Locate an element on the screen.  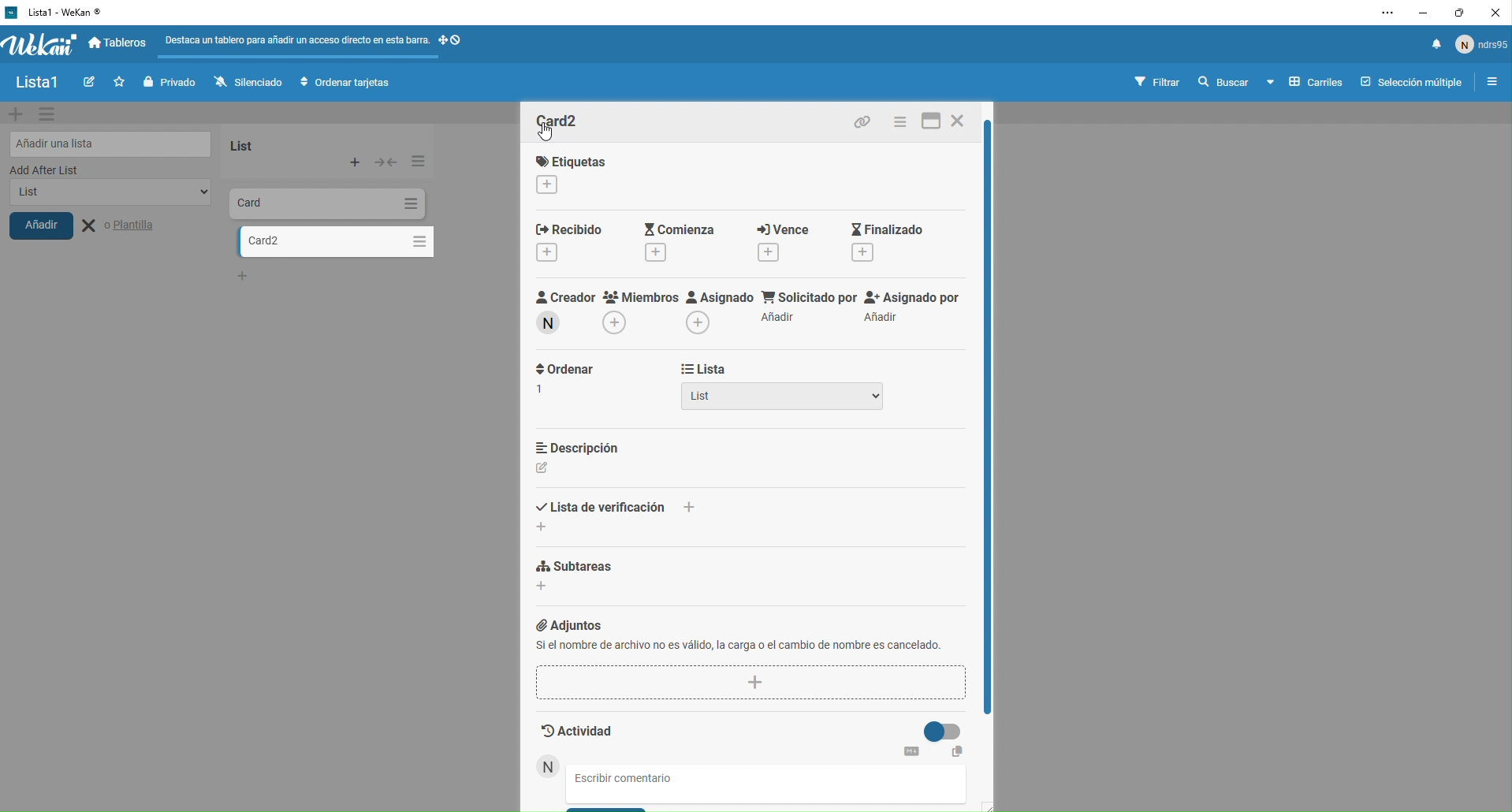
settings is located at coordinates (51, 115).